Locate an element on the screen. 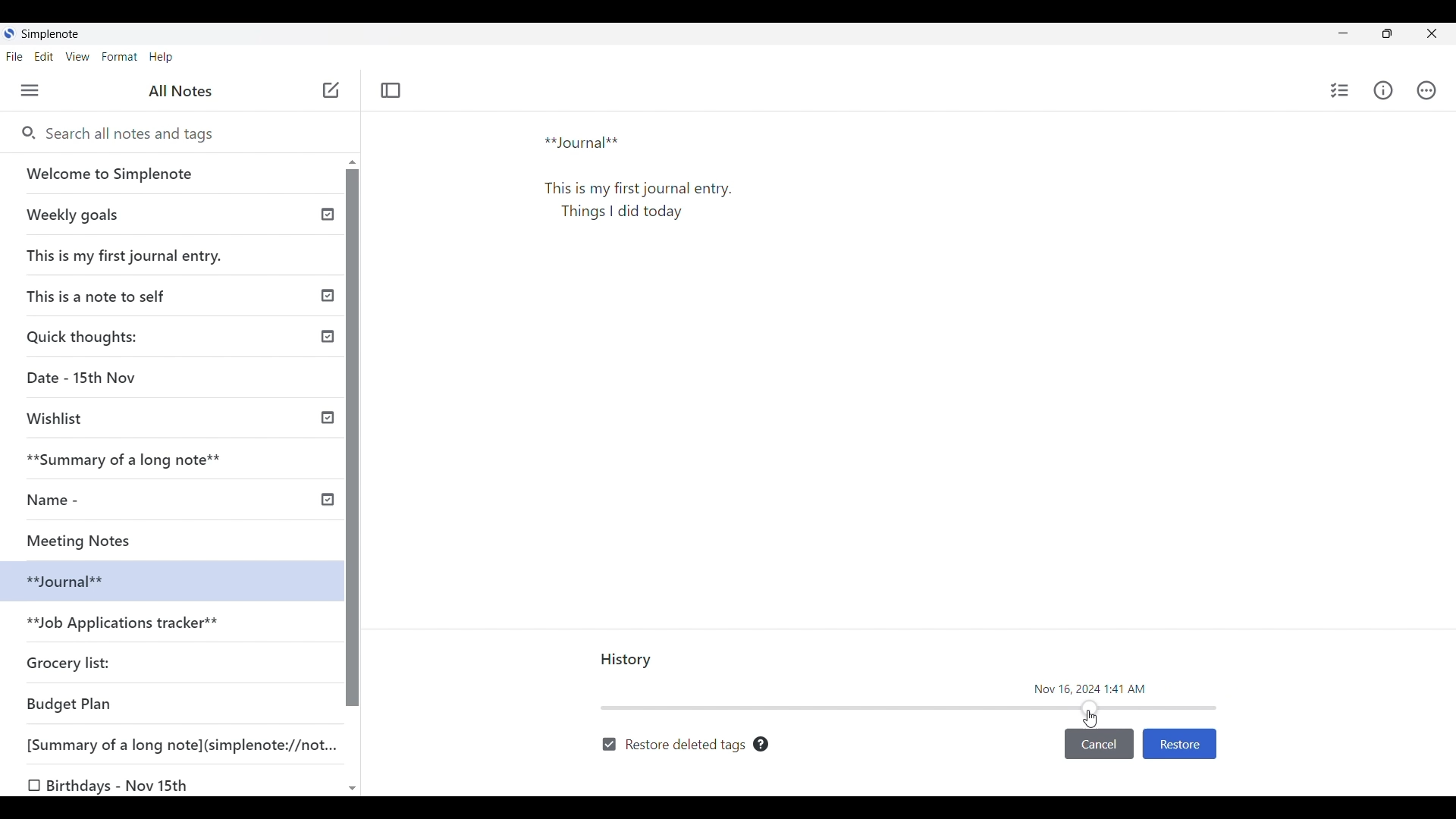  Help menu is located at coordinates (162, 58).